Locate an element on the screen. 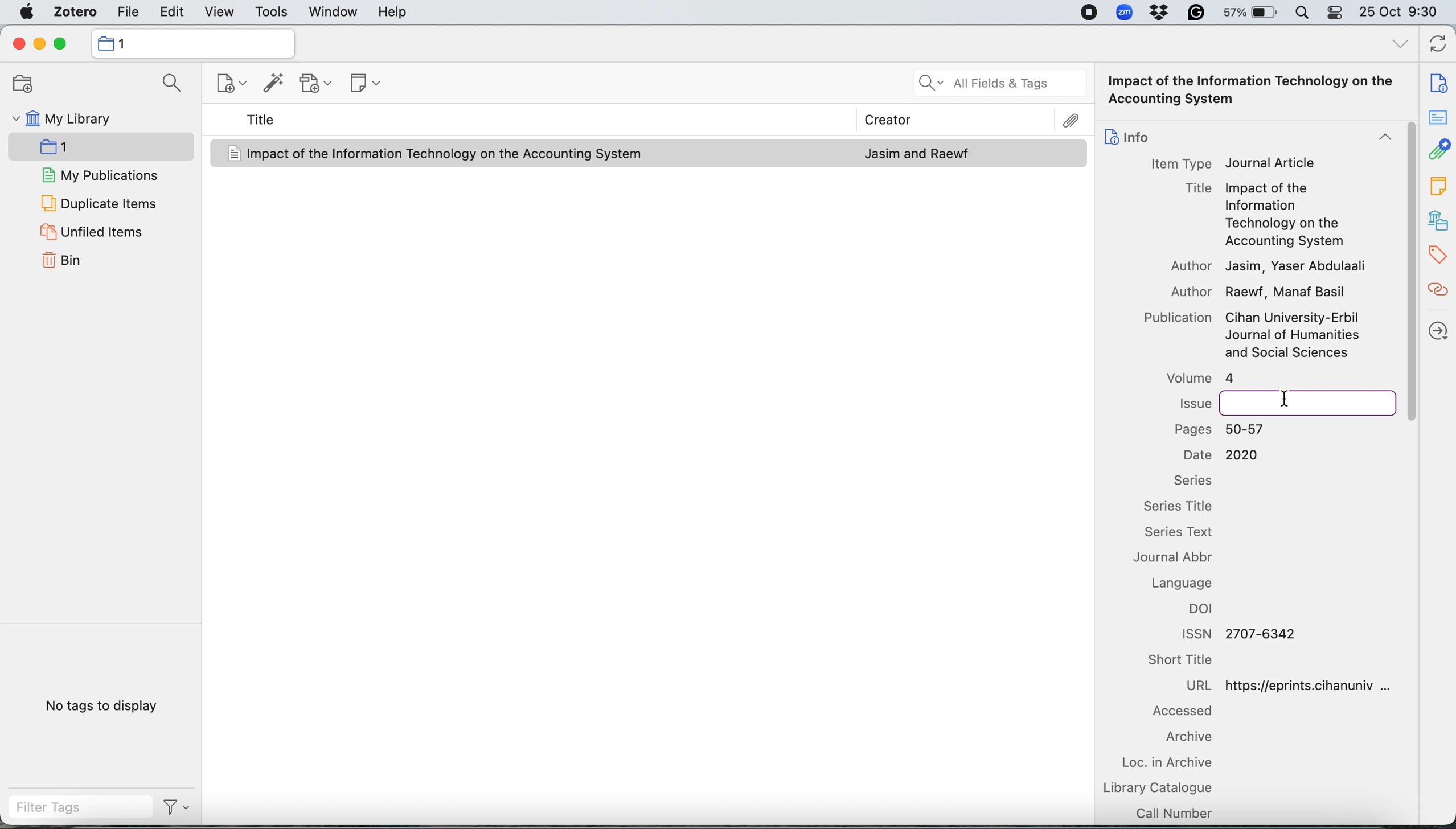 The height and width of the screenshot is (829, 1456). accessed is located at coordinates (1180, 713).